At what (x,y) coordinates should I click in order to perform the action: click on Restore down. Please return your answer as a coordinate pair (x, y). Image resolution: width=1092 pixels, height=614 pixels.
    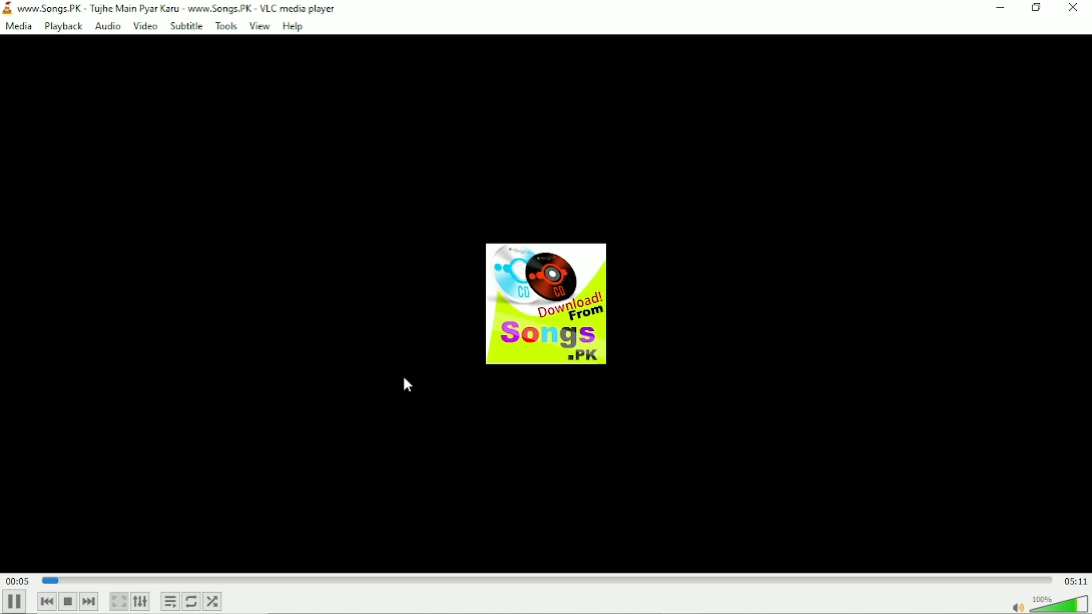
    Looking at the image, I should click on (1035, 10).